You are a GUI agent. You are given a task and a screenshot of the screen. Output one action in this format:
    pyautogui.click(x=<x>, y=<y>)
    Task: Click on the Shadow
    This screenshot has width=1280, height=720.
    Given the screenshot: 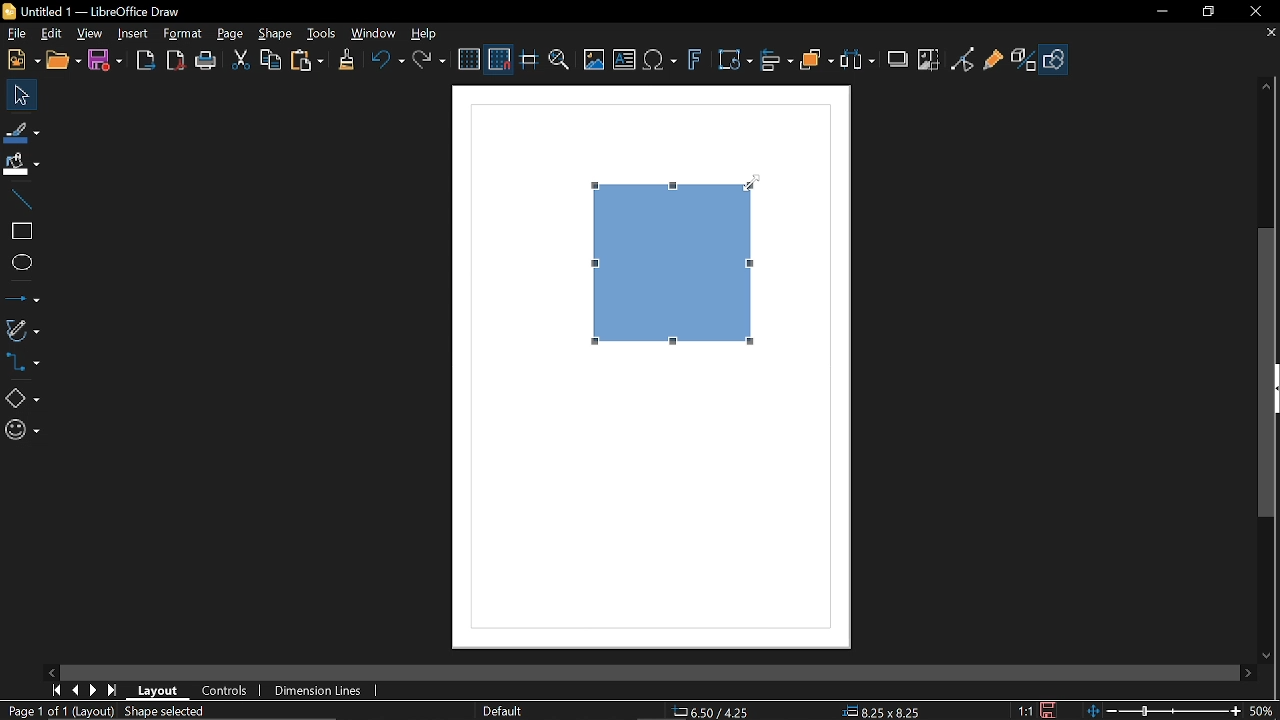 What is the action you would take?
    pyautogui.click(x=898, y=61)
    